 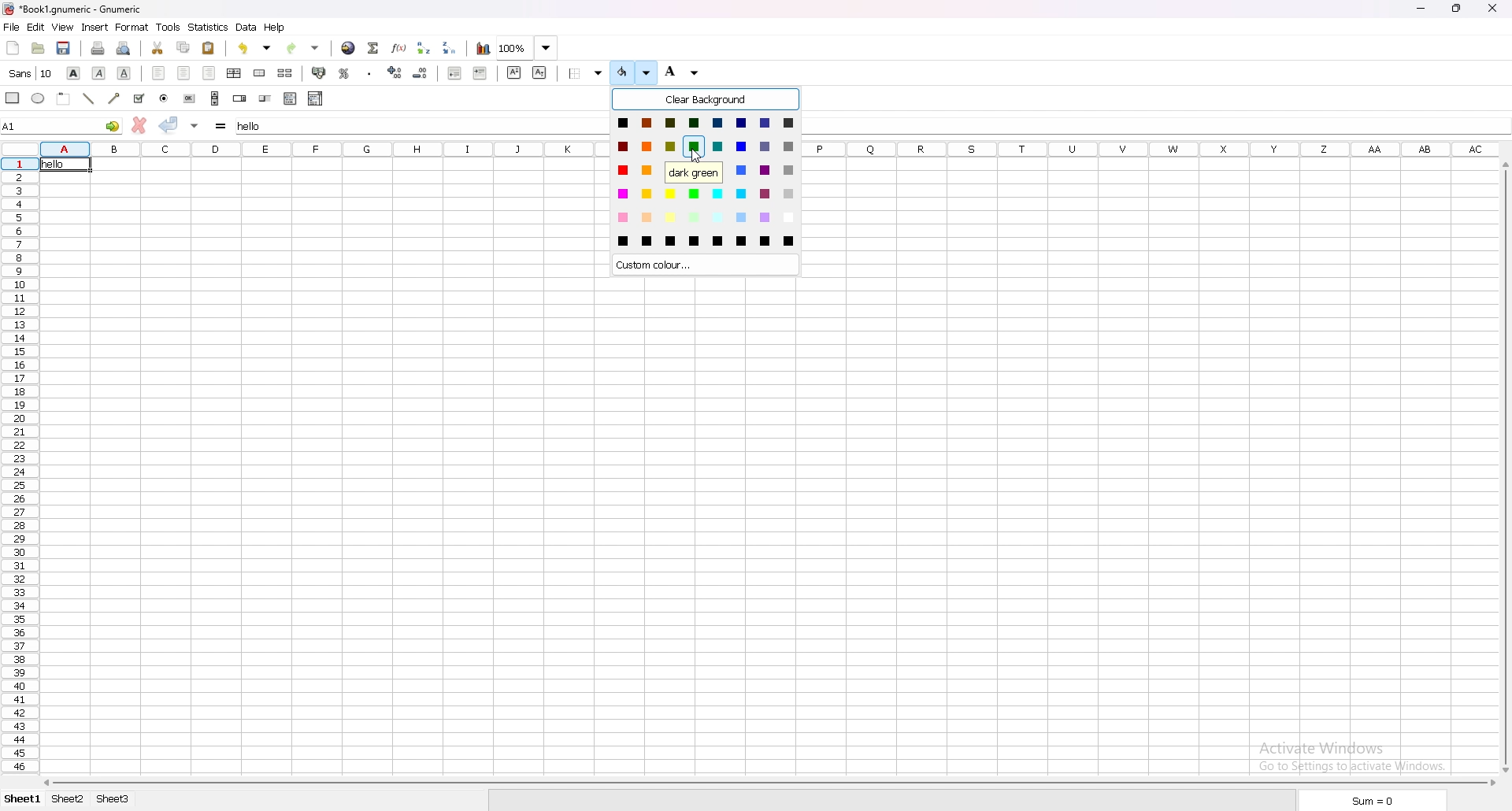 What do you see at coordinates (482, 48) in the screenshot?
I see `chart` at bounding box center [482, 48].